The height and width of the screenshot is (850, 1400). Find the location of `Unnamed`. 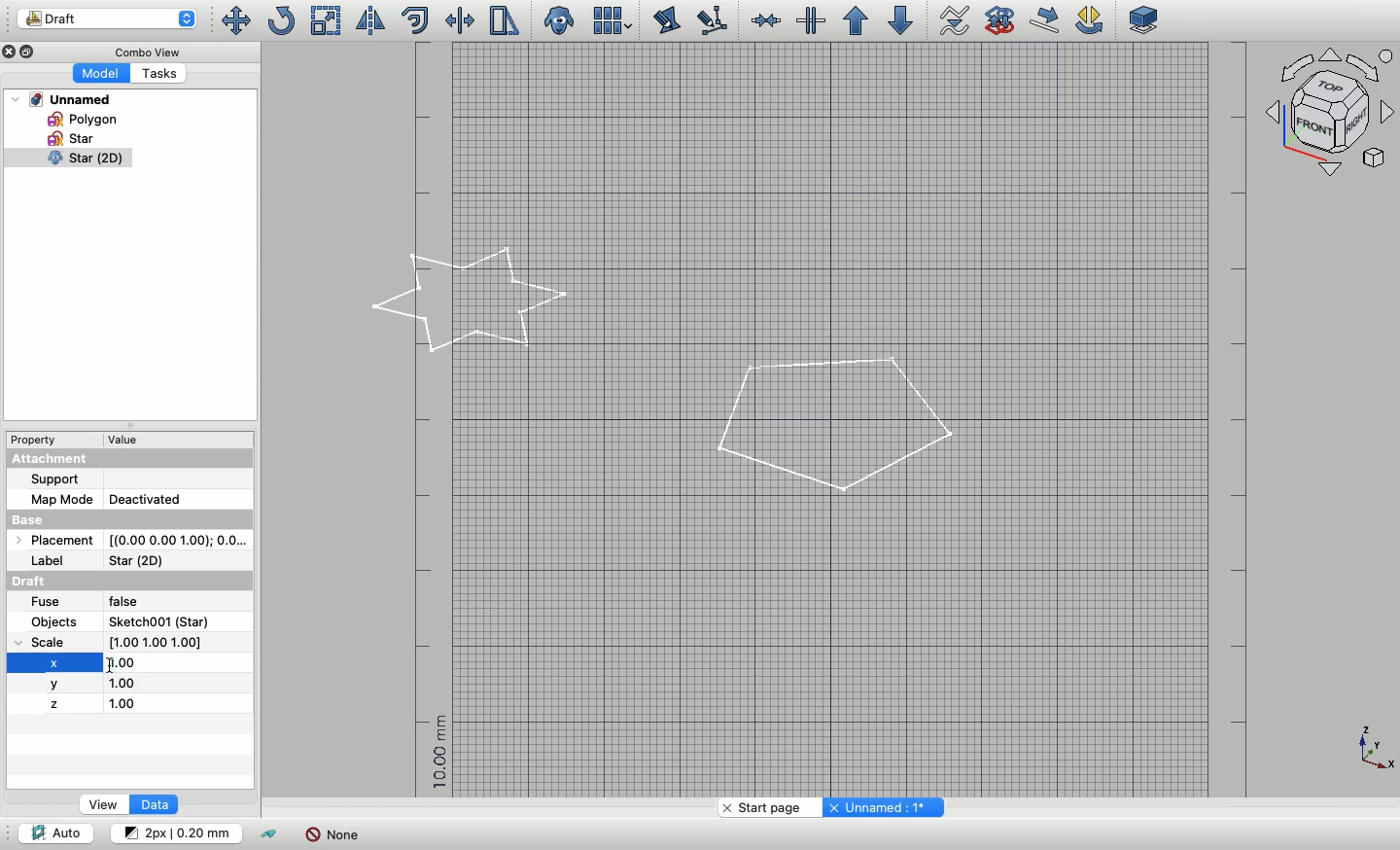

Unnamed is located at coordinates (62, 99).